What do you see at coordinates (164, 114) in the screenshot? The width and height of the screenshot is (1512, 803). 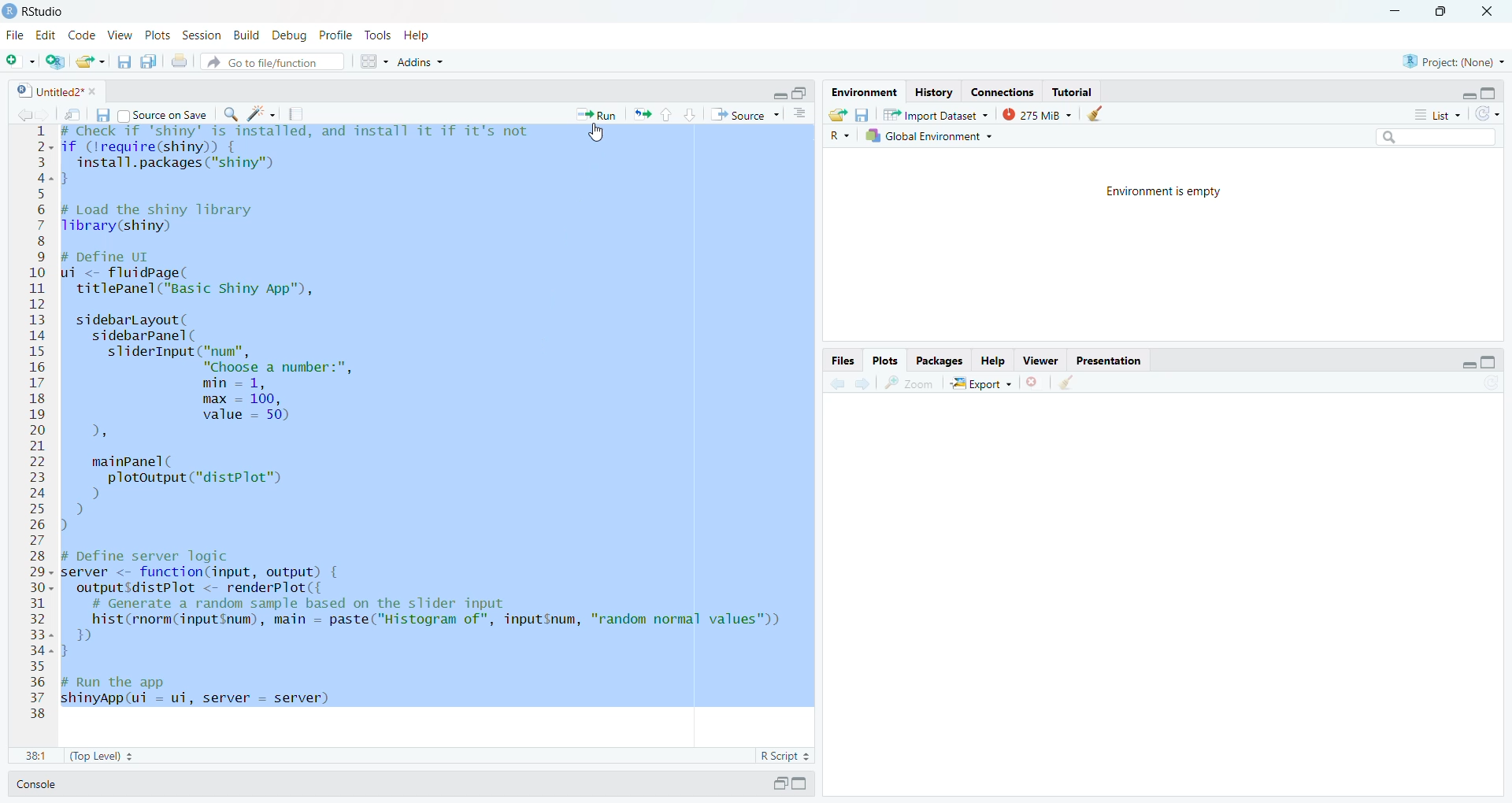 I see `source on save checkbox` at bounding box center [164, 114].